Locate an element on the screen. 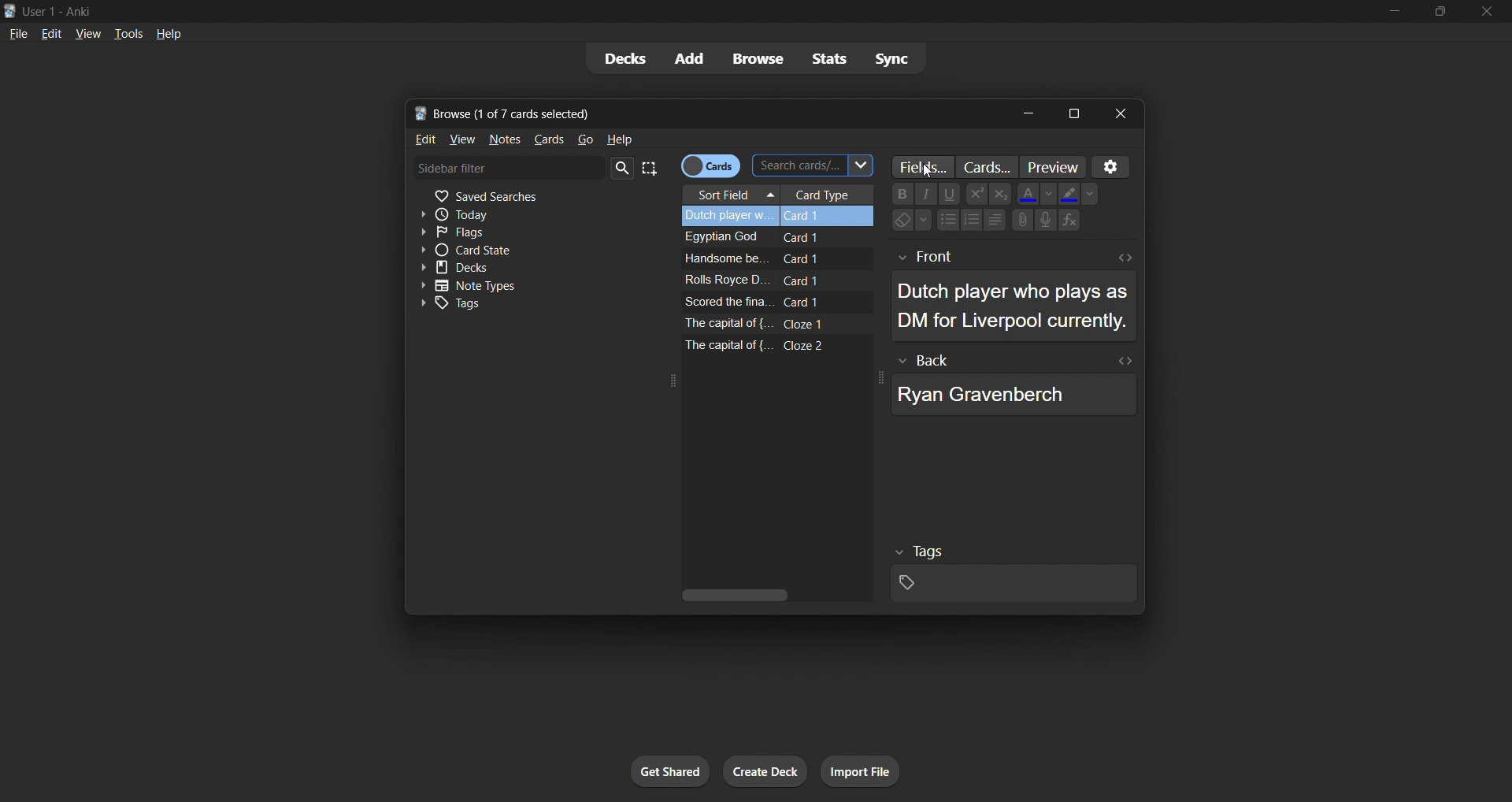  Down-arrow is located at coordinates (925, 221).